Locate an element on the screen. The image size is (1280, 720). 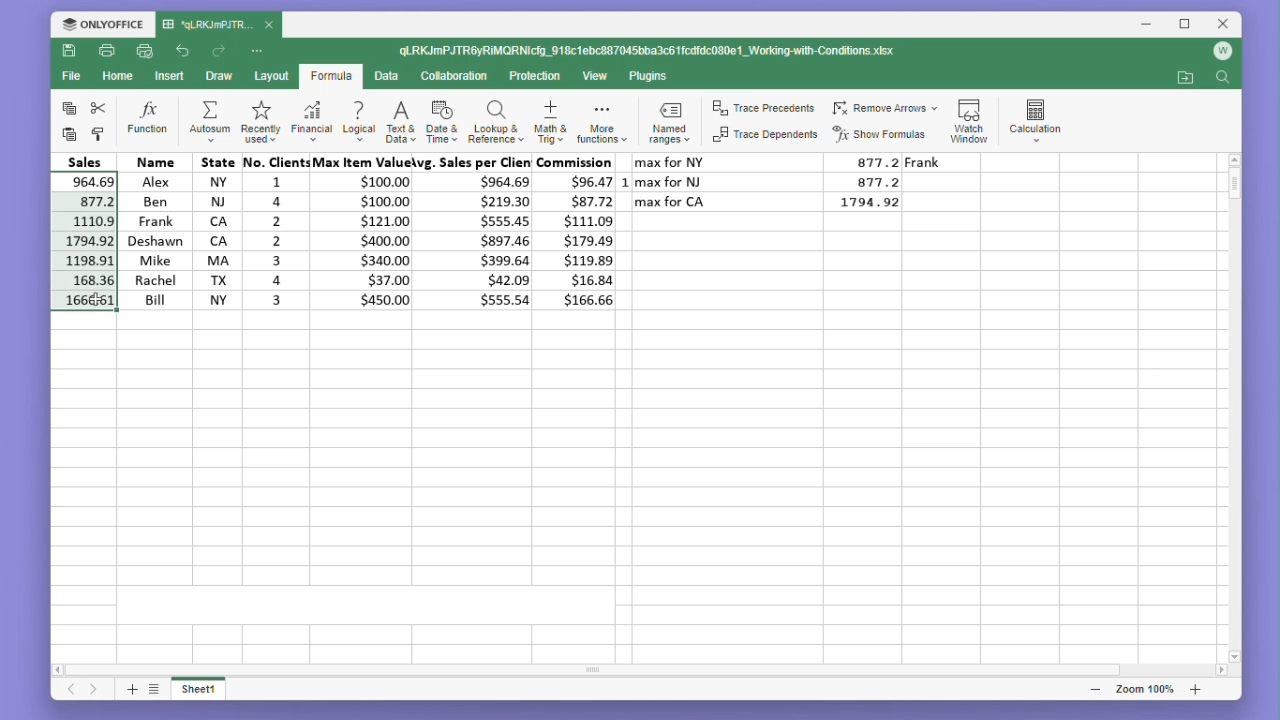
Previous sheet is located at coordinates (64, 693).